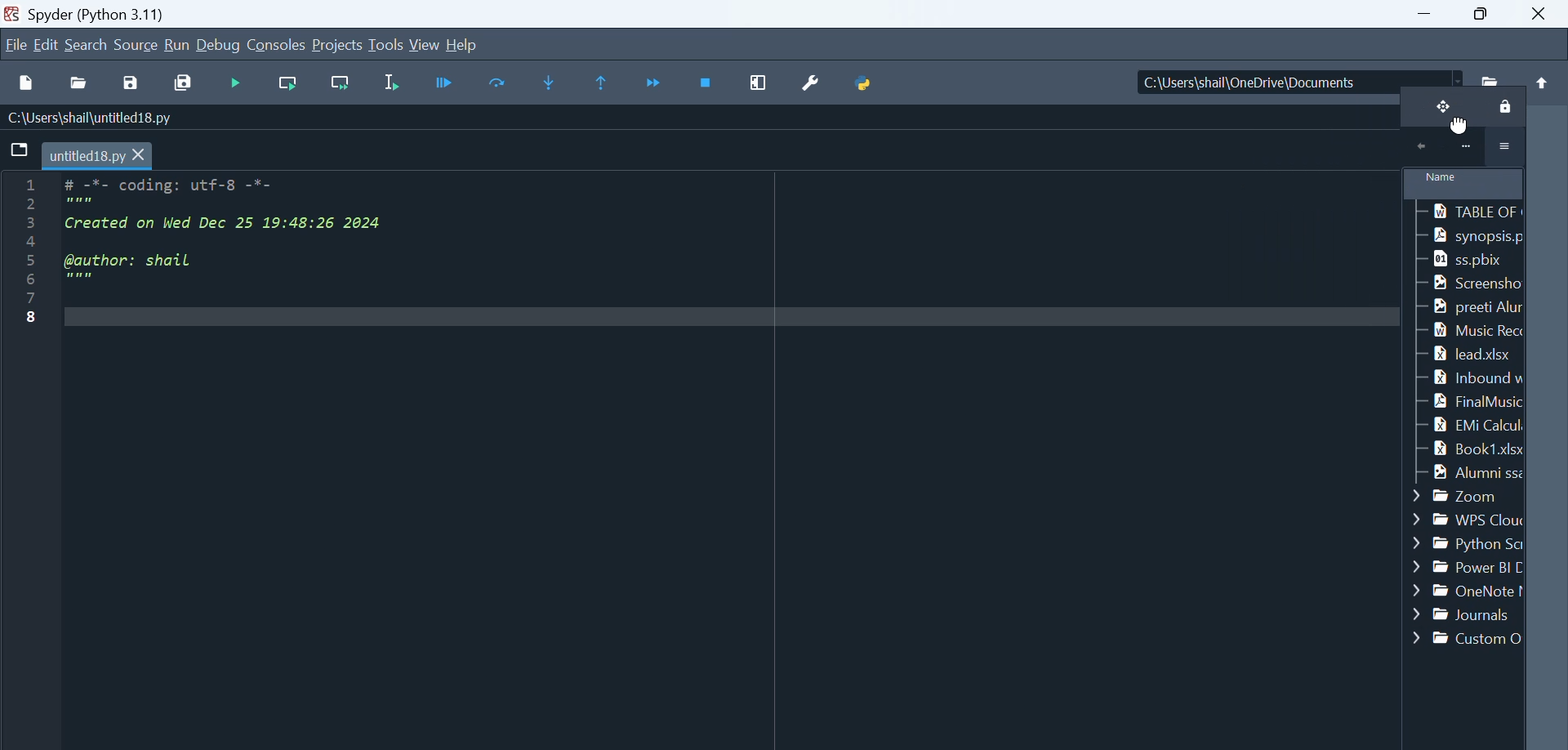 The height and width of the screenshot is (750, 1568). What do you see at coordinates (1469, 306) in the screenshot?
I see `preeti Alur.` at bounding box center [1469, 306].